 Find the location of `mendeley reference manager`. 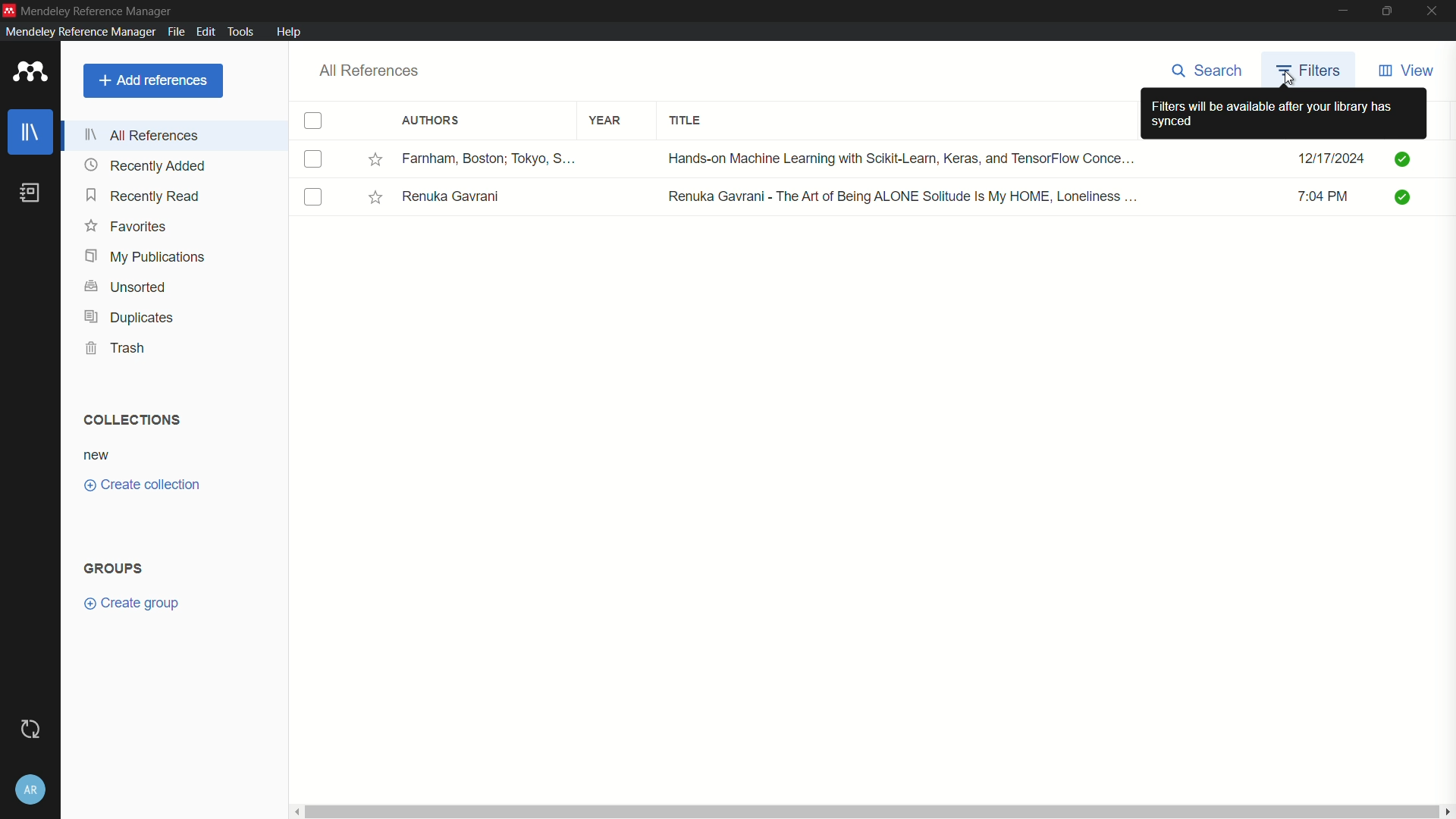

mendeley reference manager is located at coordinates (78, 32).